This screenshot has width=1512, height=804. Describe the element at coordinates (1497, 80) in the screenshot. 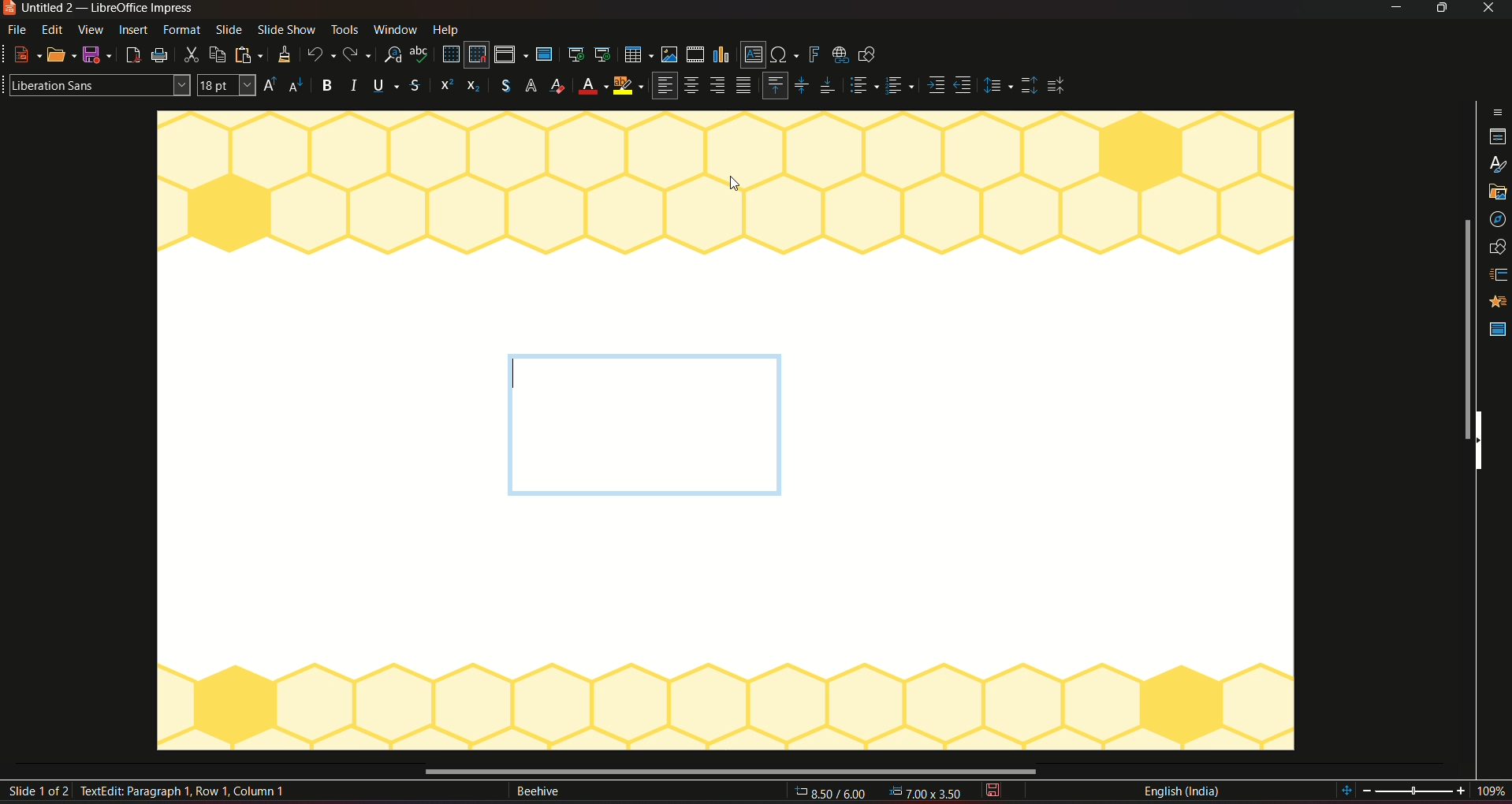

I see `sidebar settings` at that location.